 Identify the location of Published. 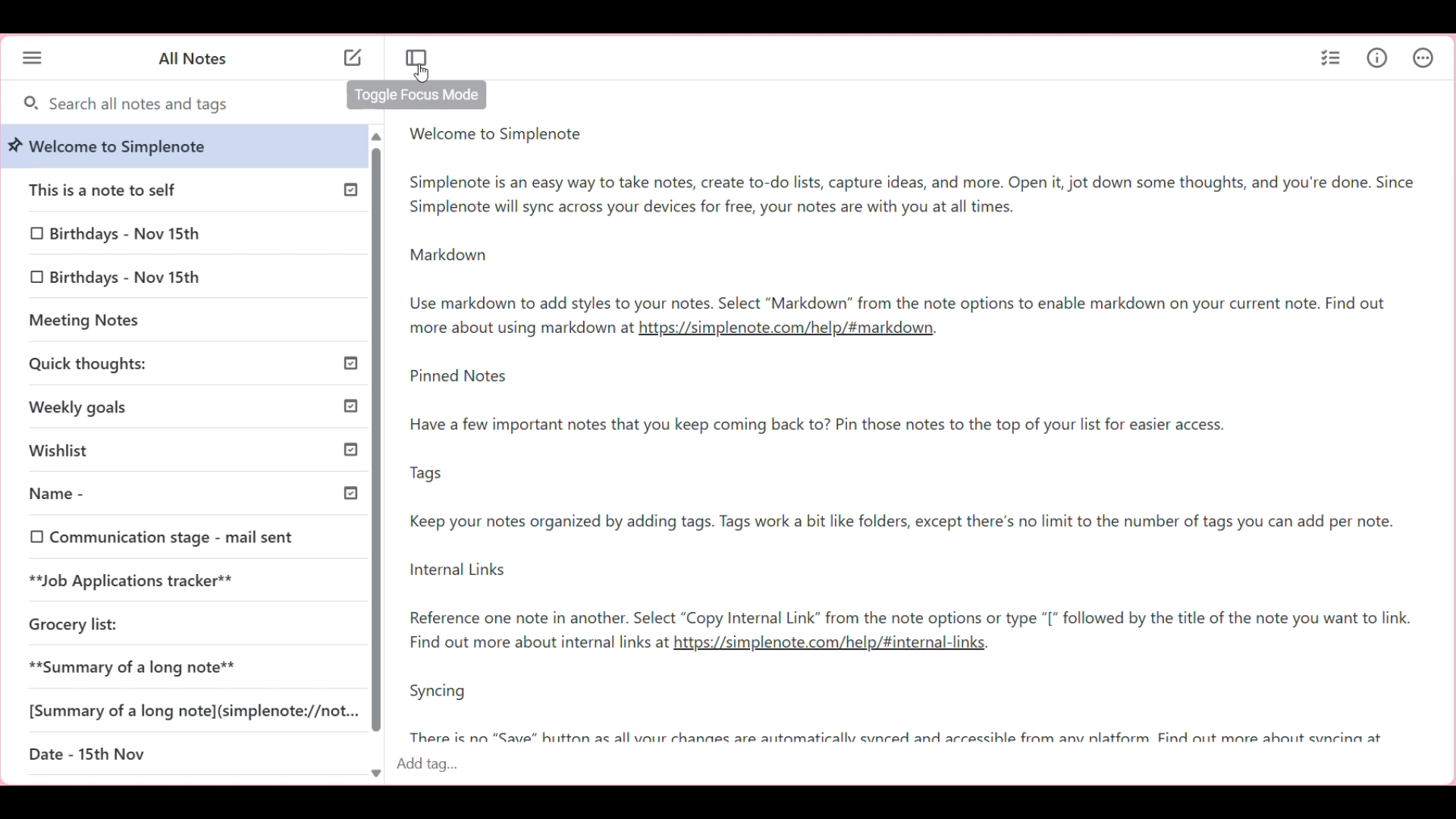
(350, 448).